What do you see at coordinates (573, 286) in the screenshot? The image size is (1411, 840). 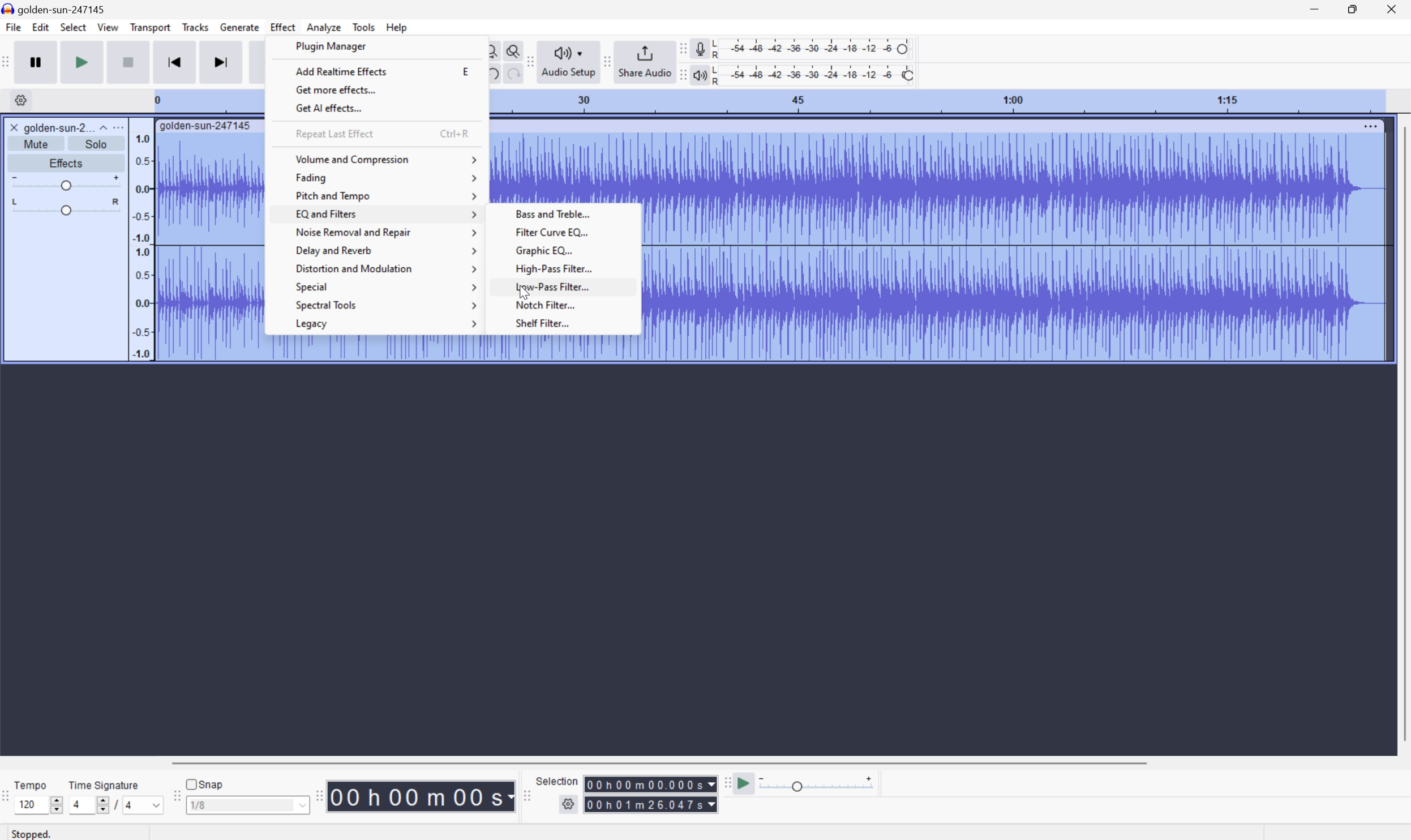 I see `Low pass filter...` at bounding box center [573, 286].